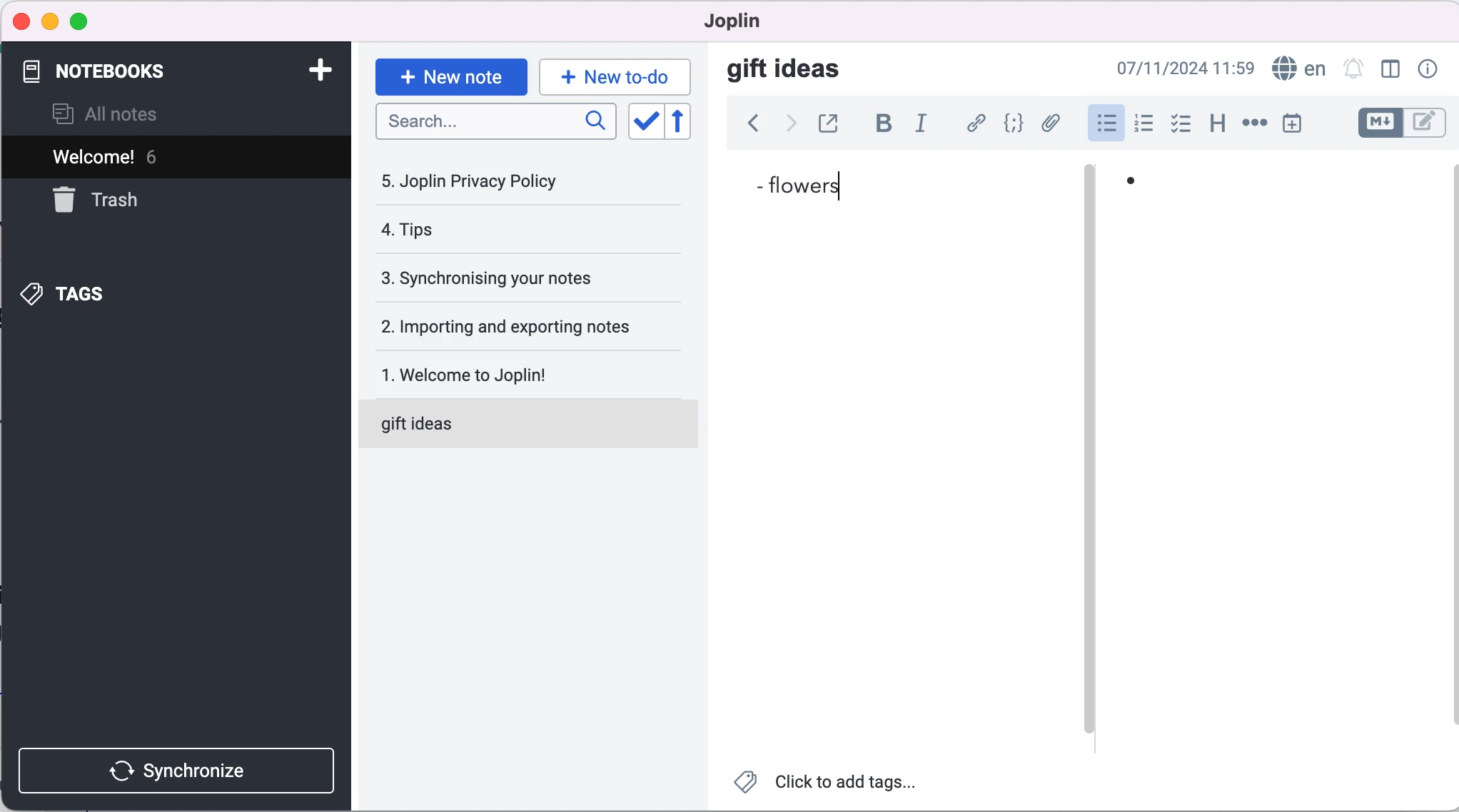 Image resolution: width=1459 pixels, height=812 pixels. What do you see at coordinates (1144, 124) in the screenshot?
I see `numbered list` at bounding box center [1144, 124].